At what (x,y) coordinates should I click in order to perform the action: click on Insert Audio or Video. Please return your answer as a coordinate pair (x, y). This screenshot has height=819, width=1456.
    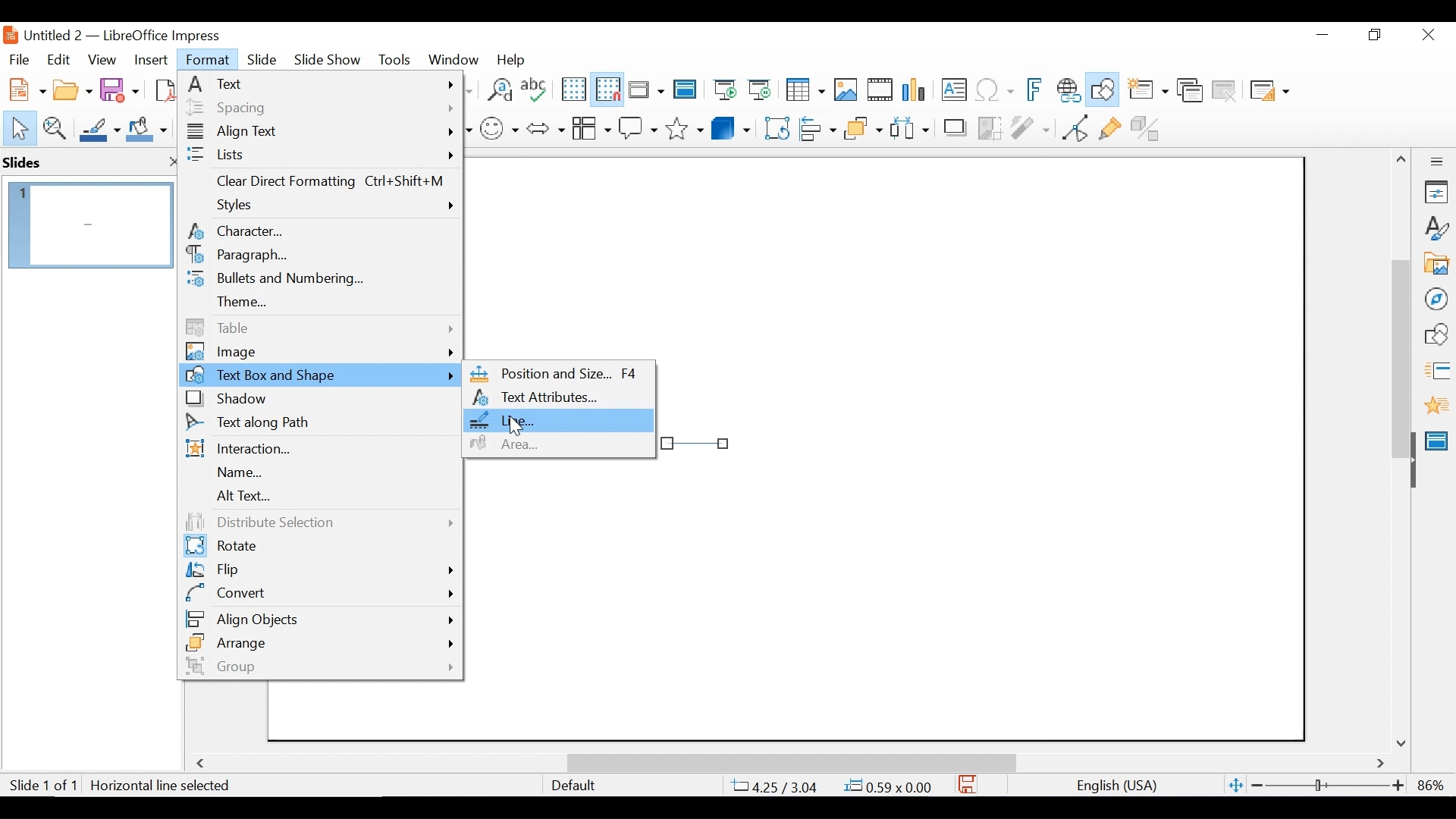
    Looking at the image, I should click on (880, 91).